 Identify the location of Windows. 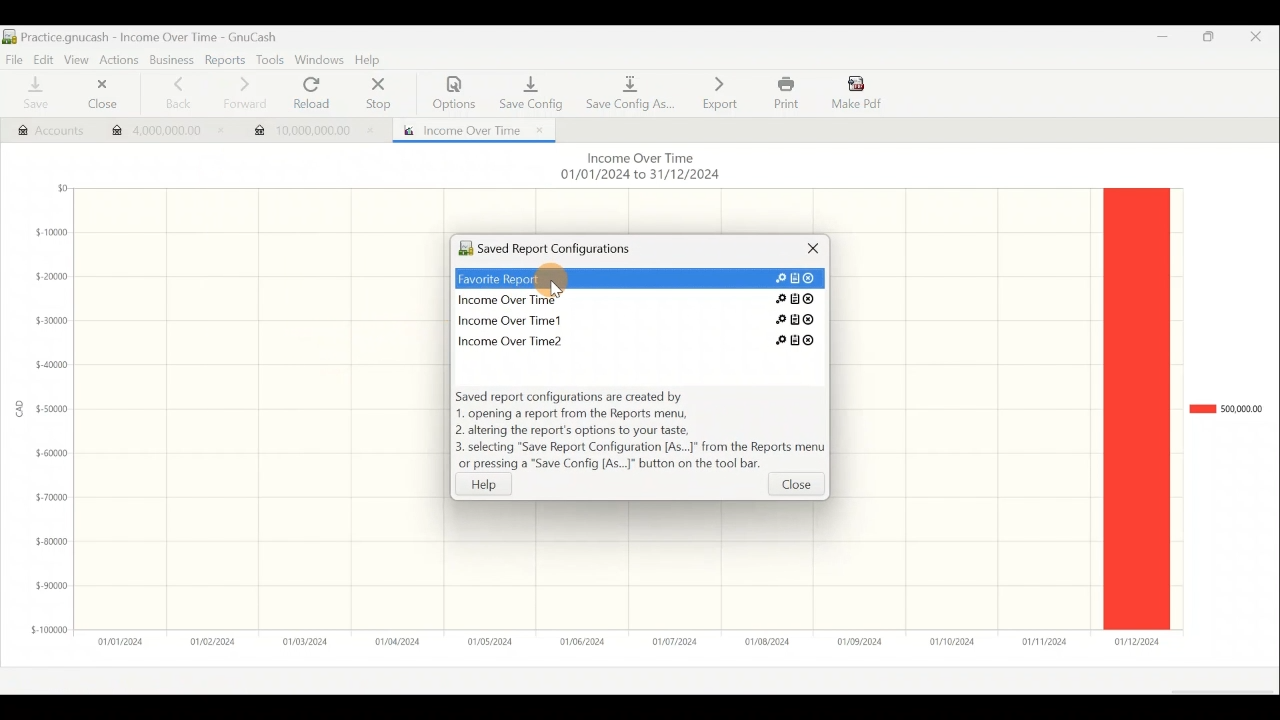
(320, 61).